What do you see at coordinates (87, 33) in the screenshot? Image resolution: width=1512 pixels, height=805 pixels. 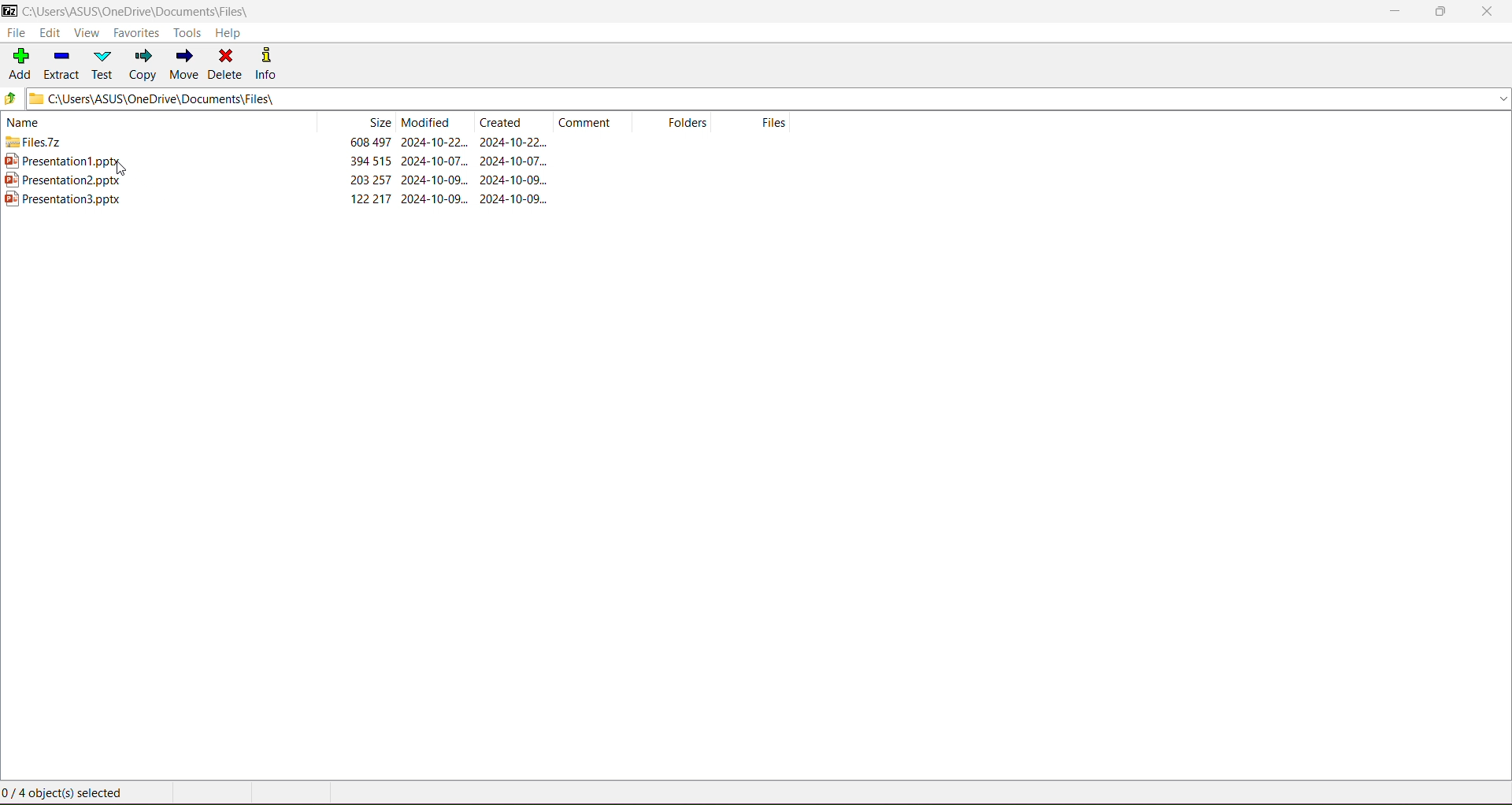 I see `View` at bounding box center [87, 33].